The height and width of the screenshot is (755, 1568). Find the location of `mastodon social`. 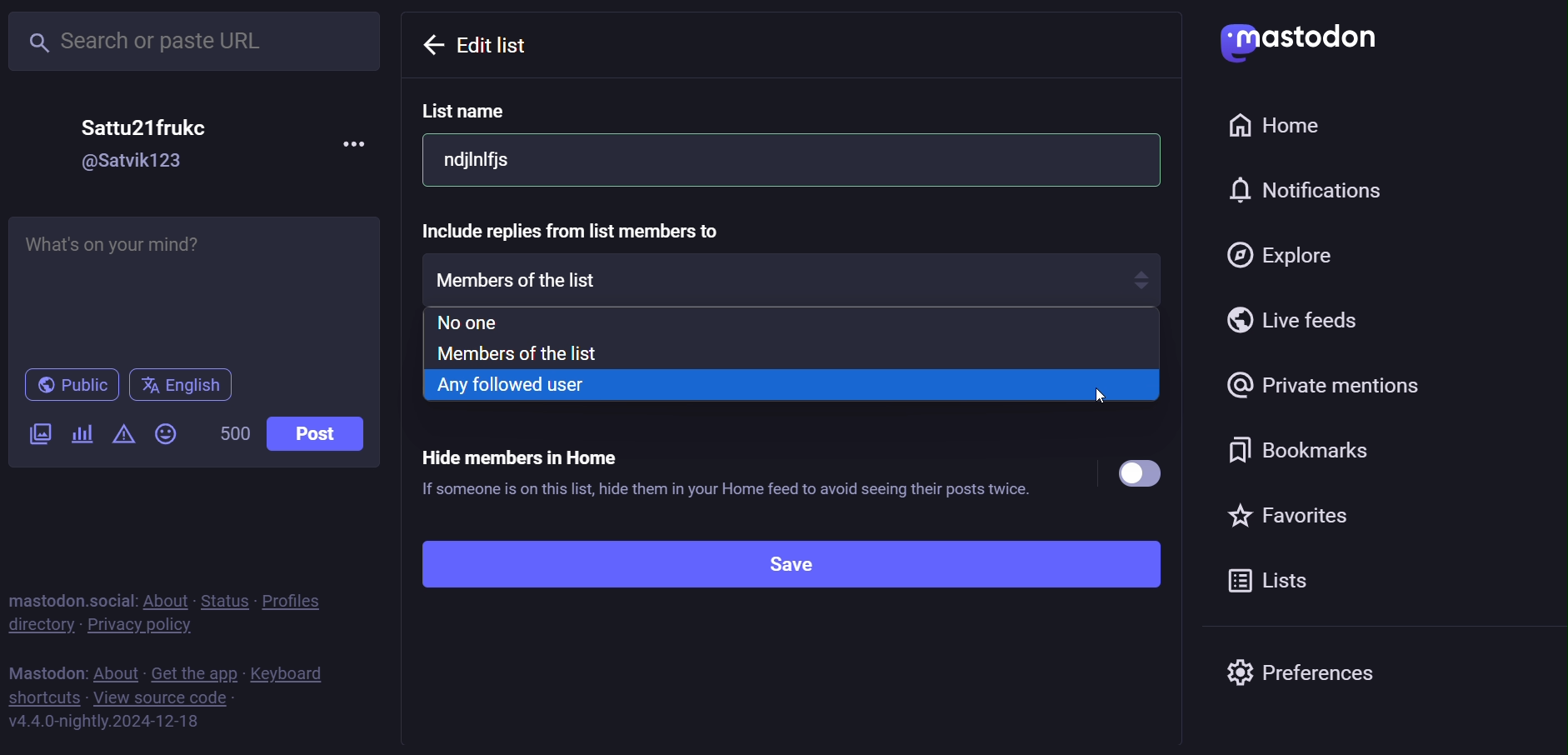

mastodon social is located at coordinates (71, 597).